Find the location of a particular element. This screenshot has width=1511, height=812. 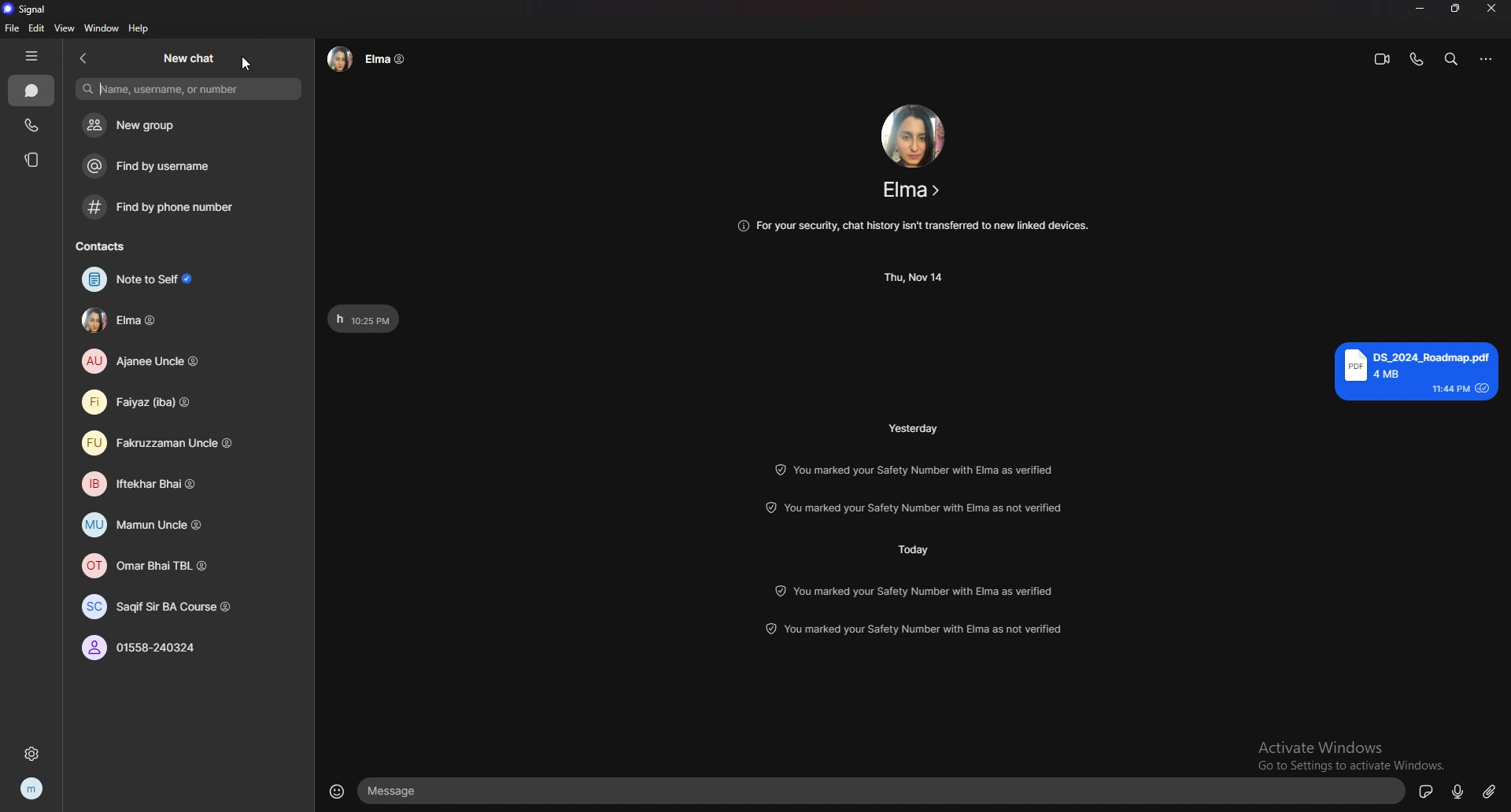

contact is located at coordinates (158, 403).